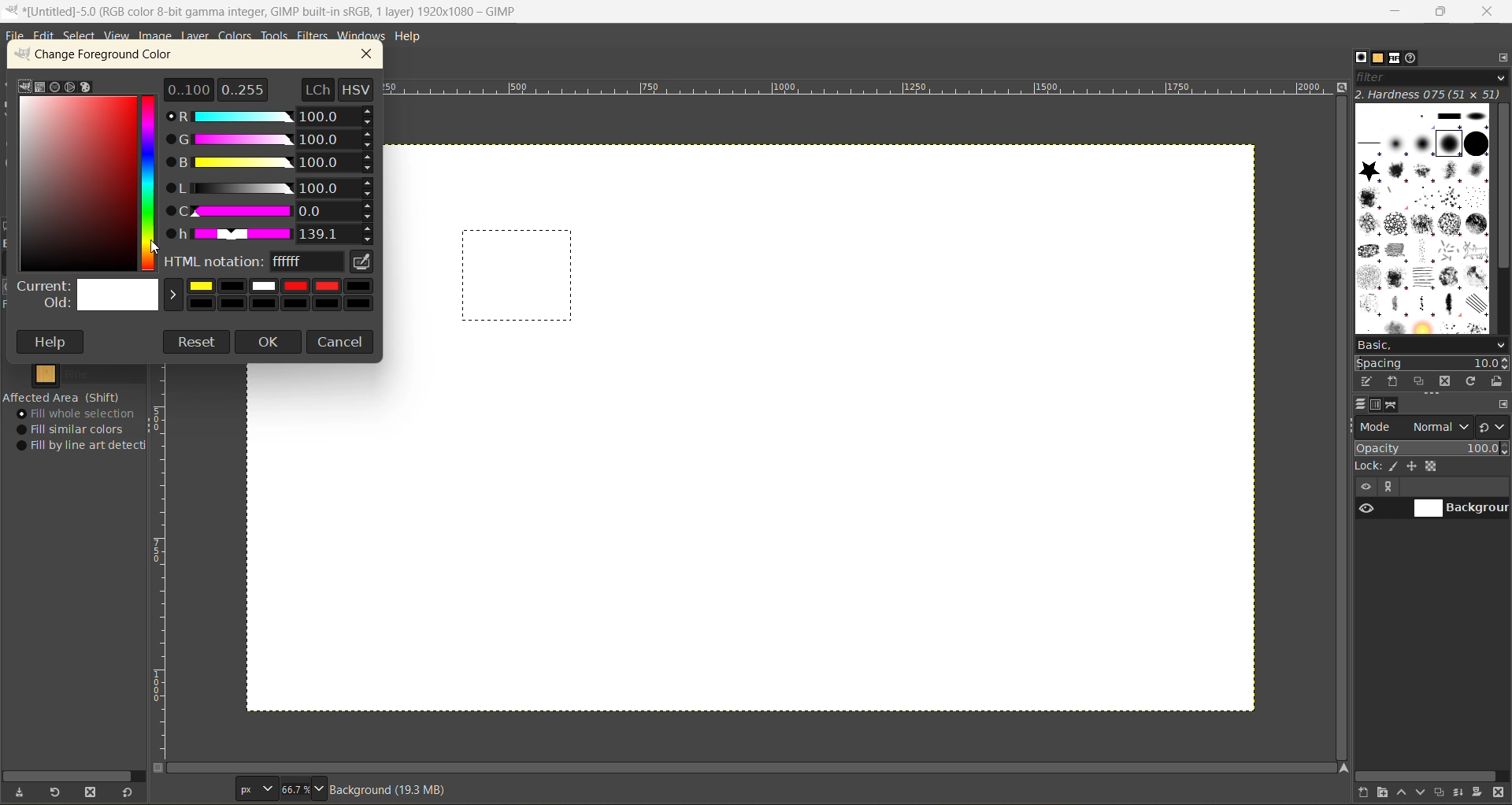  Describe the element at coordinates (196, 36) in the screenshot. I see `layer` at that location.